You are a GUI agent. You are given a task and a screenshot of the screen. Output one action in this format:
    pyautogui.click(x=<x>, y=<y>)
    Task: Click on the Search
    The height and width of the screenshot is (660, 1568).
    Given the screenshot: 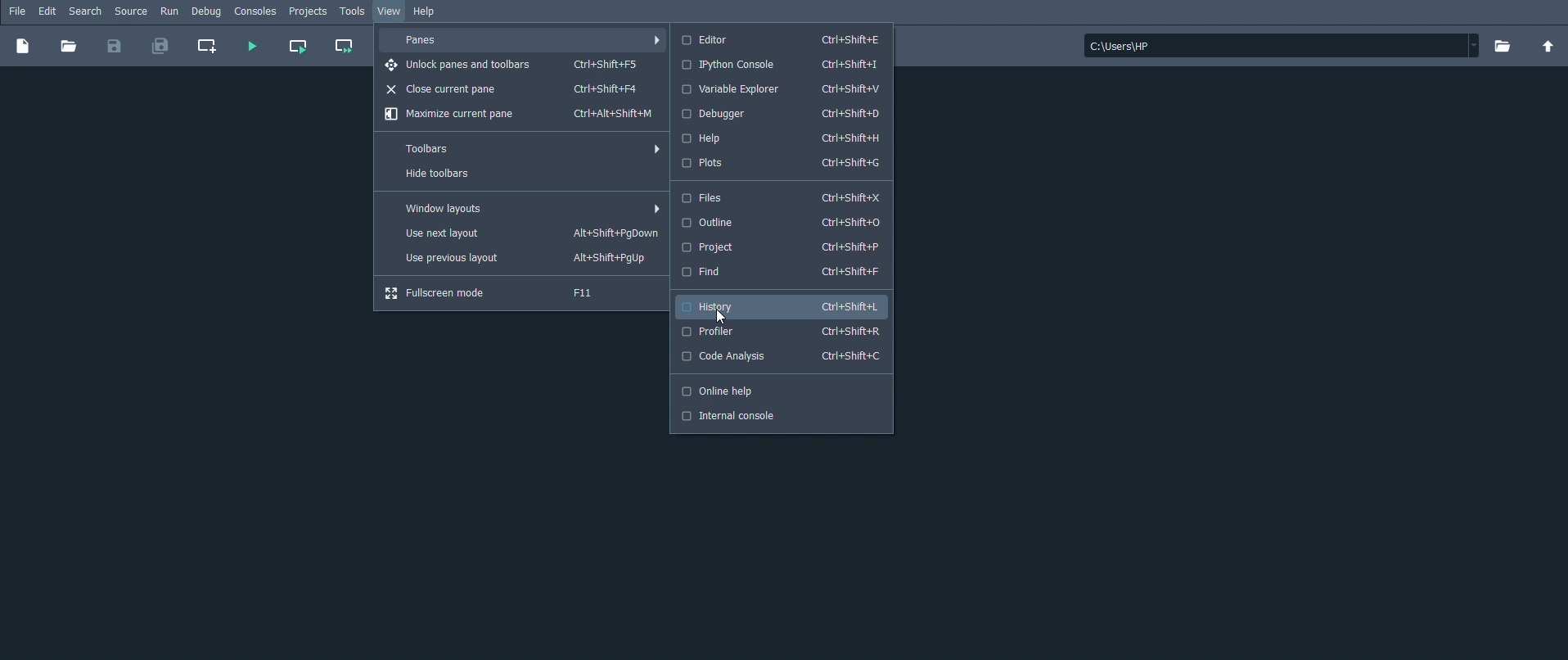 What is the action you would take?
    pyautogui.click(x=86, y=11)
    